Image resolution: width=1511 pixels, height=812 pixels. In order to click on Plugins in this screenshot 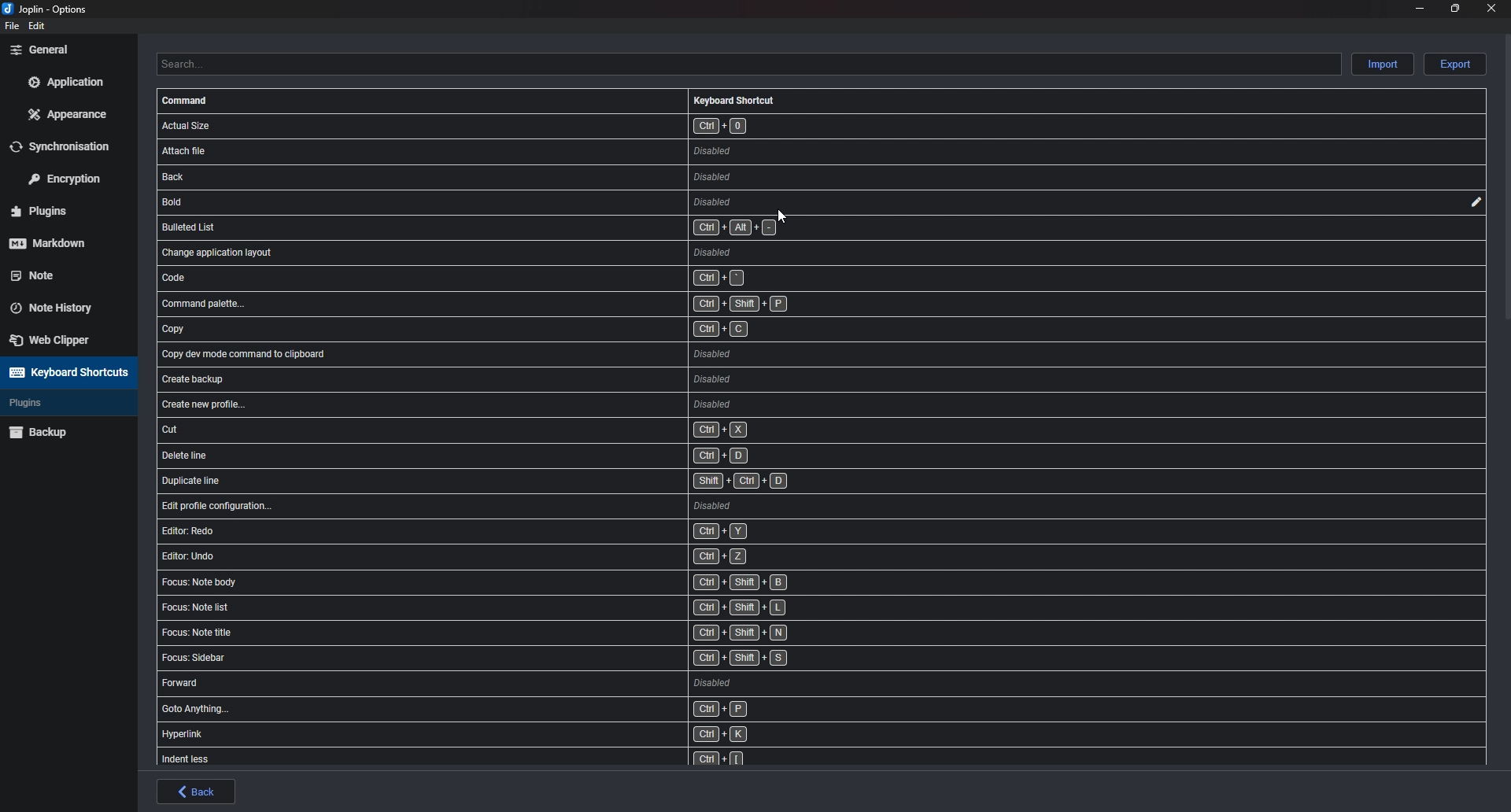, I will do `click(57, 403)`.